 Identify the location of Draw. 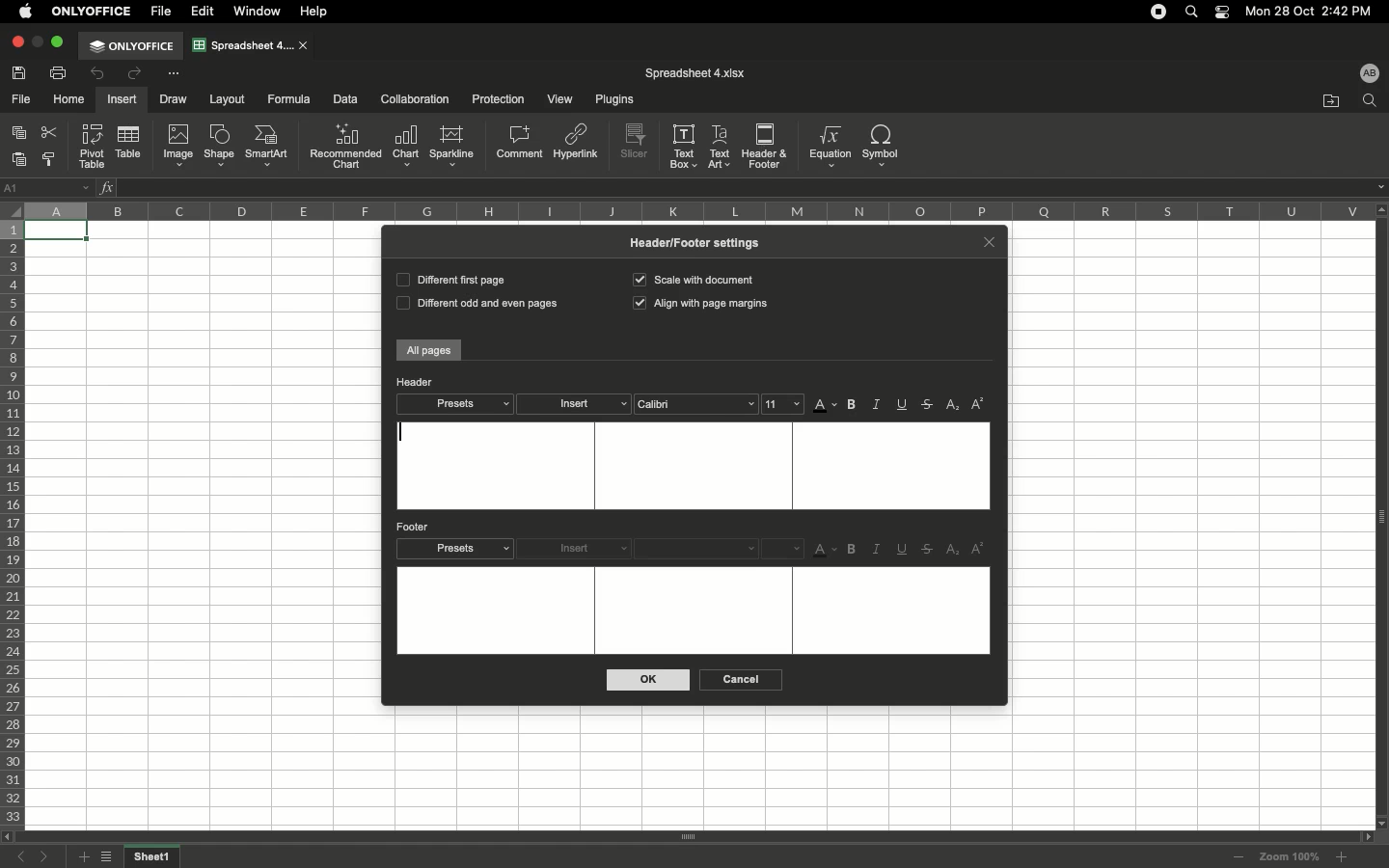
(176, 98).